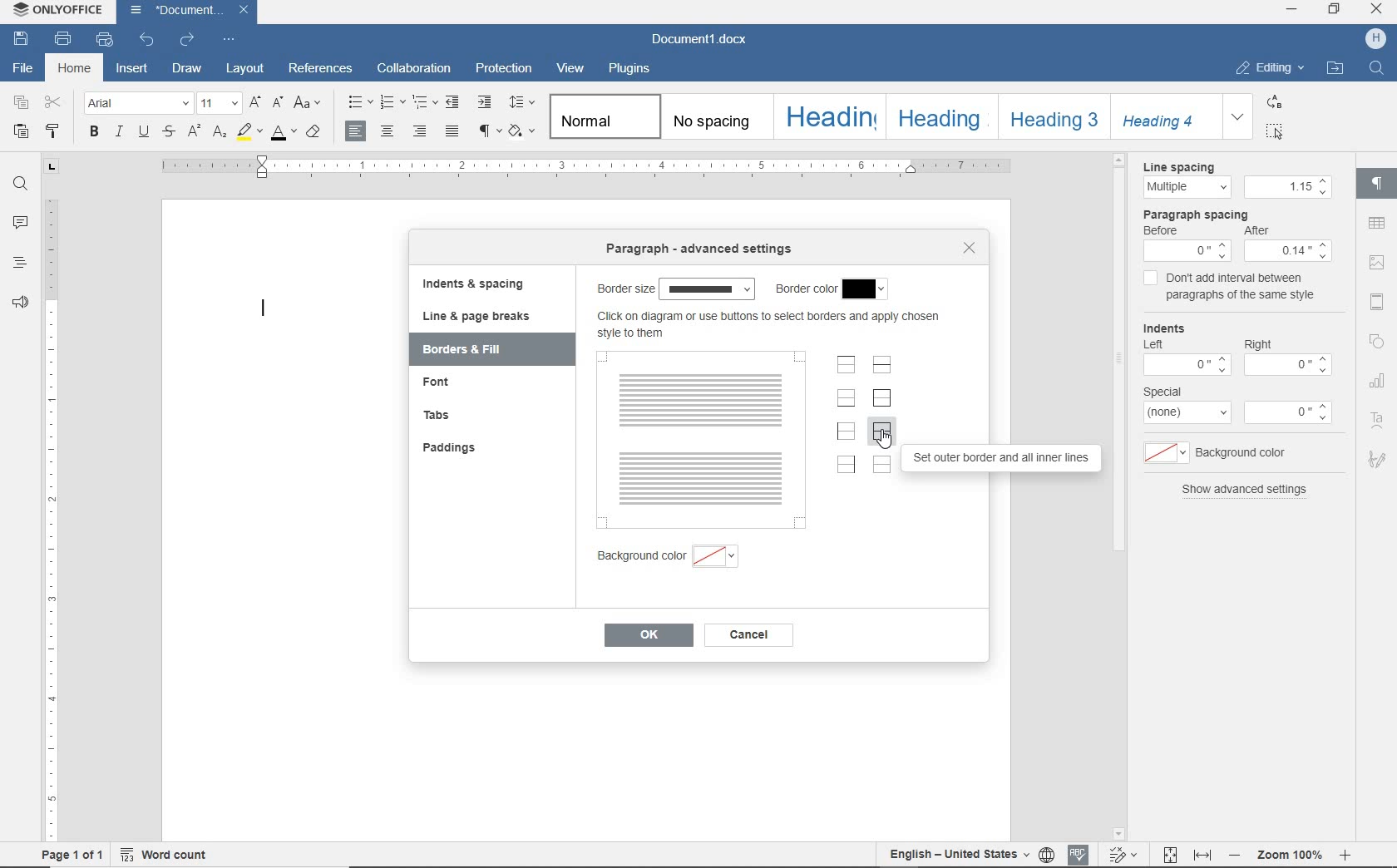 This screenshot has width=1397, height=868. Describe the element at coordinates (244, 70) in the screenshot. I see `layout` at that location.